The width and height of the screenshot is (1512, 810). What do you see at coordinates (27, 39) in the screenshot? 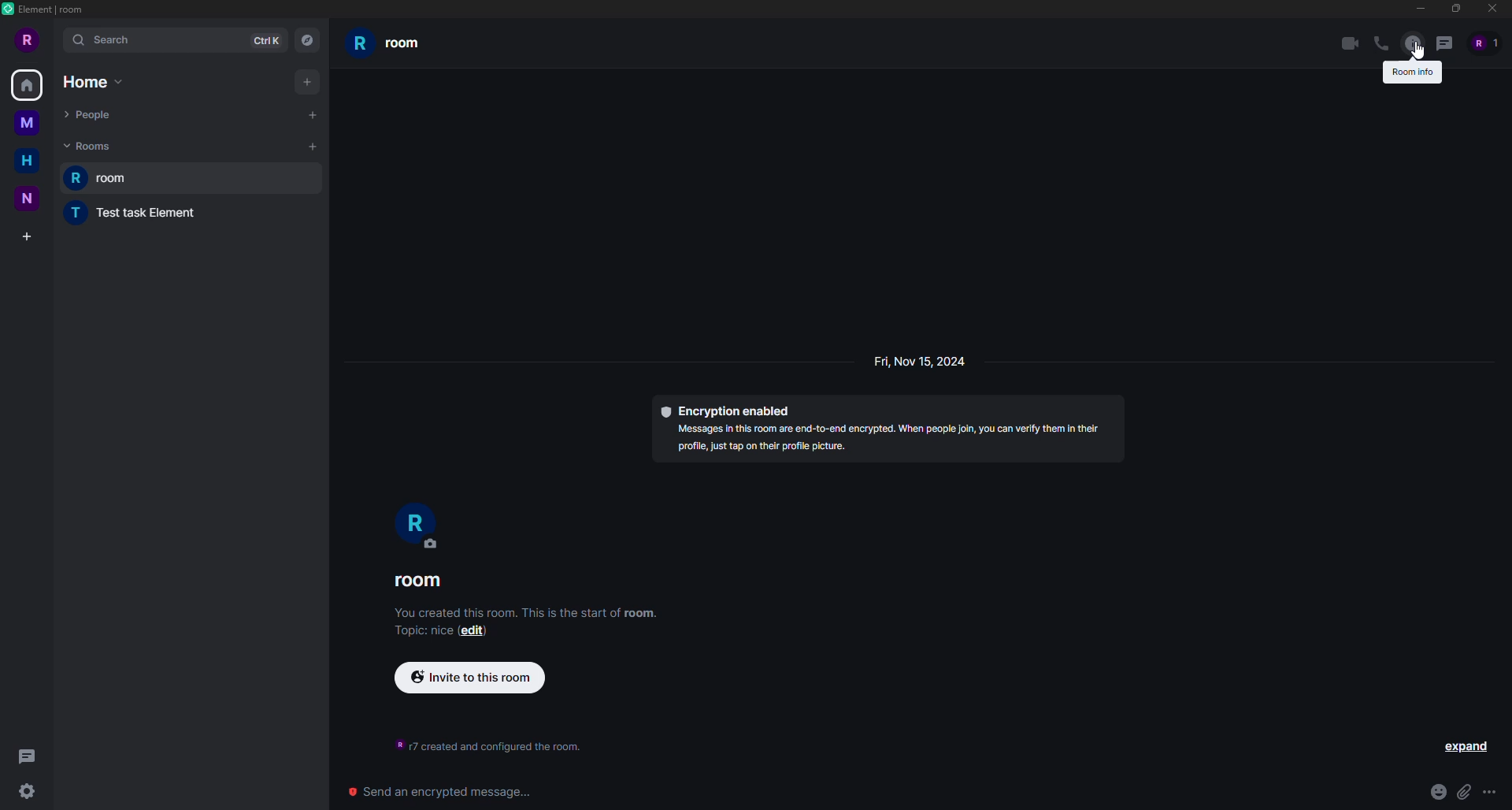
I see `R` at bounding box center [27, 39].